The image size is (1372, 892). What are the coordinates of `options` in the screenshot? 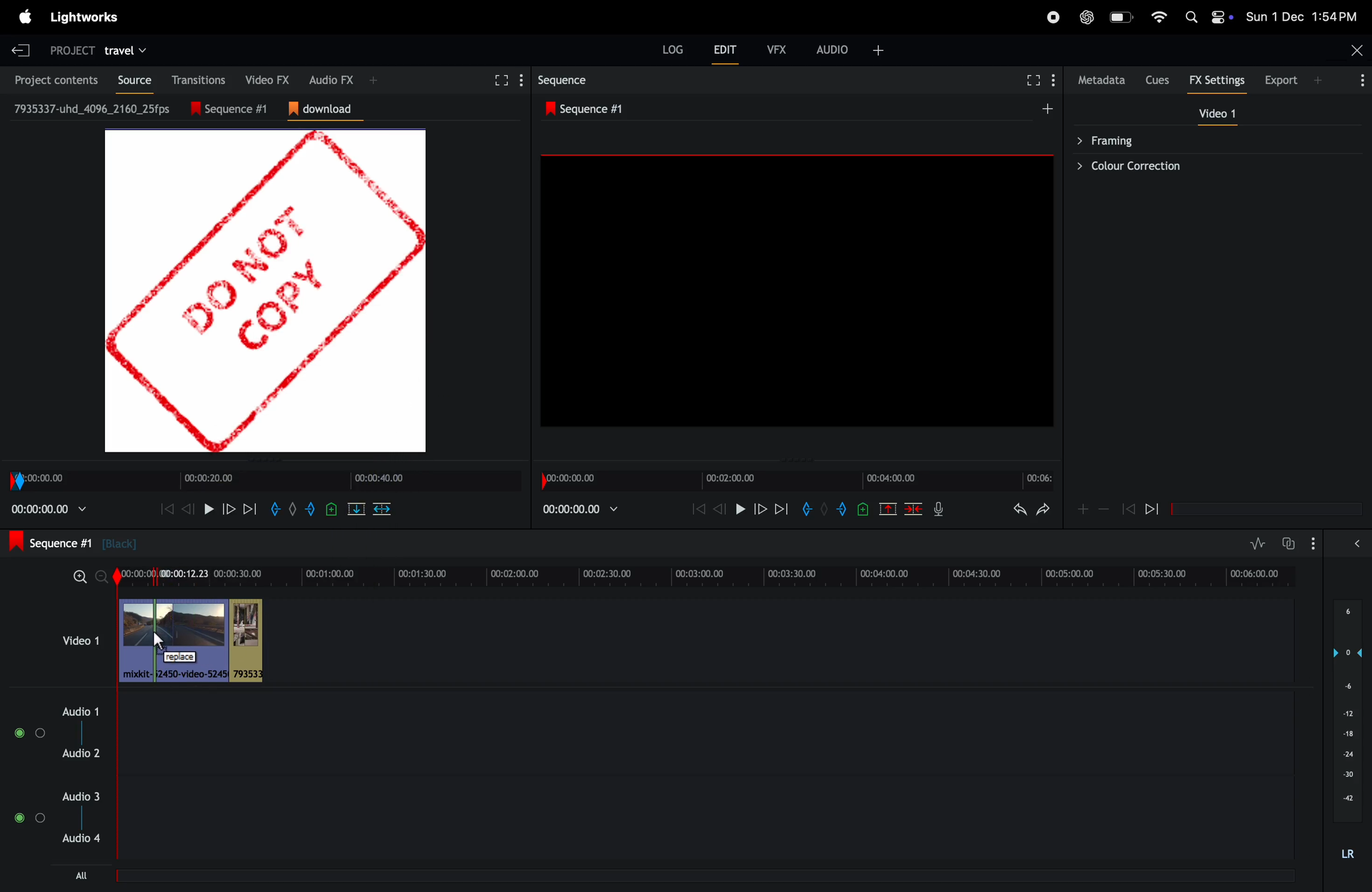 It's located at (1313, 543).